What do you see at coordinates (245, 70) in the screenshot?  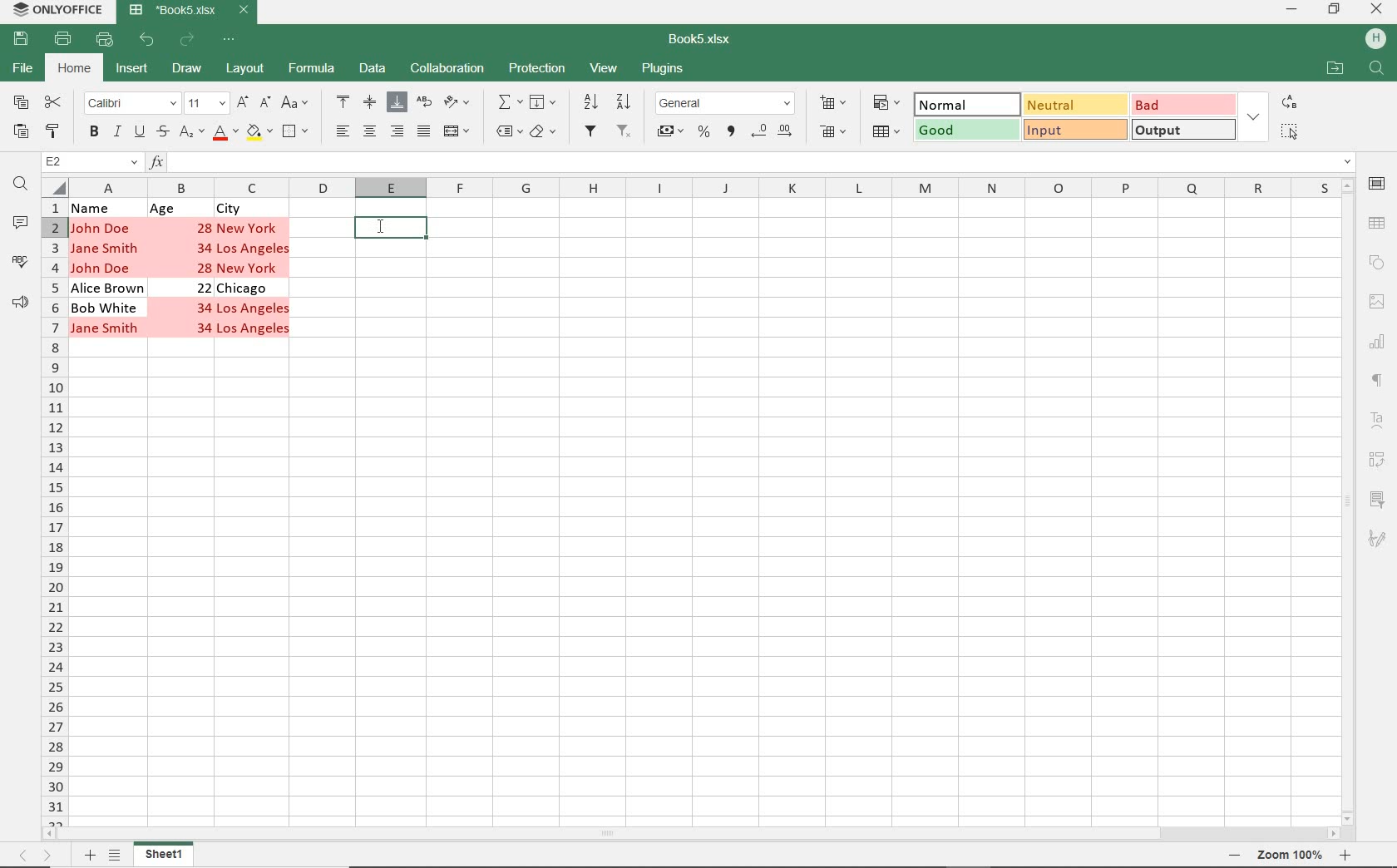 I see `LAYOUT` at bounding box center [245, 70].